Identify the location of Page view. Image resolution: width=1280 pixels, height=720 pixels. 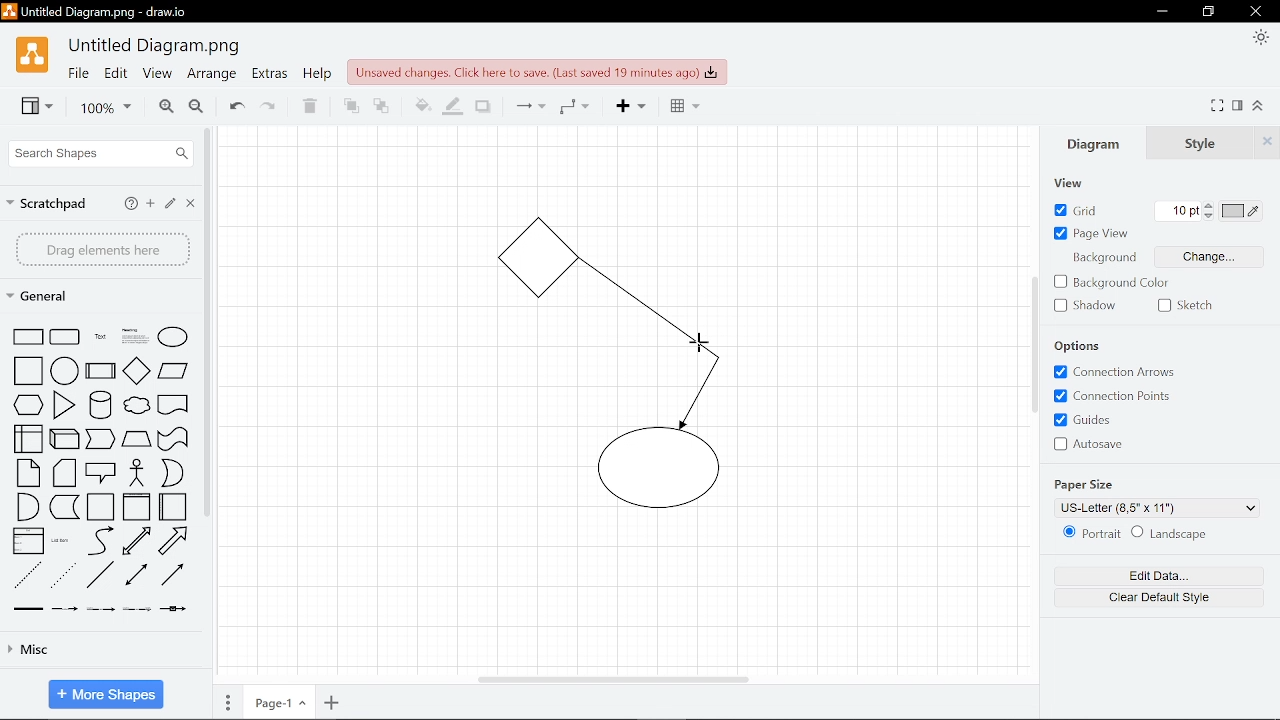
(1099, 236).